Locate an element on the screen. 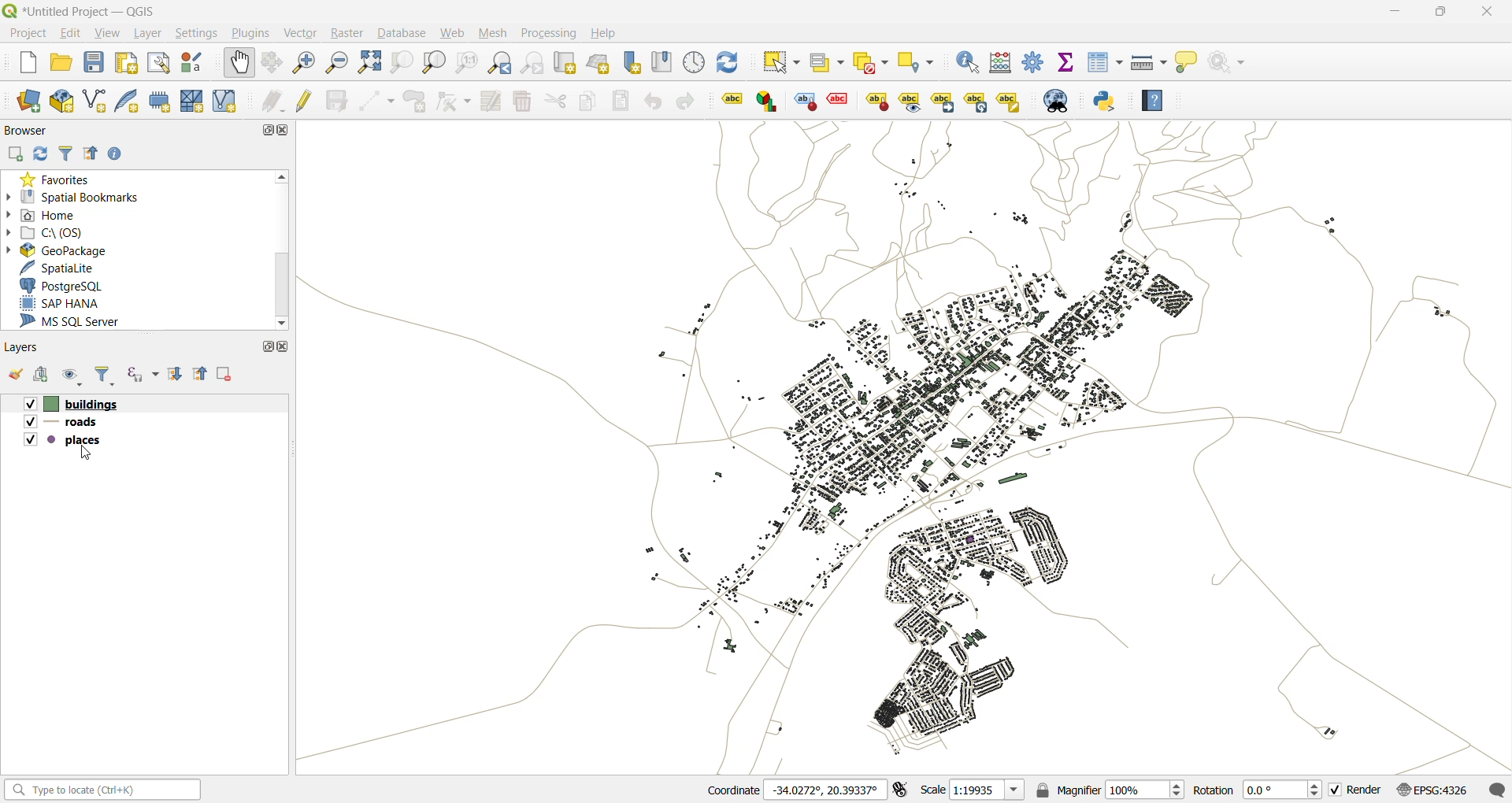 The width and height of the screenshot is (1512, 803). maximize is located at coordinates (263, 130).